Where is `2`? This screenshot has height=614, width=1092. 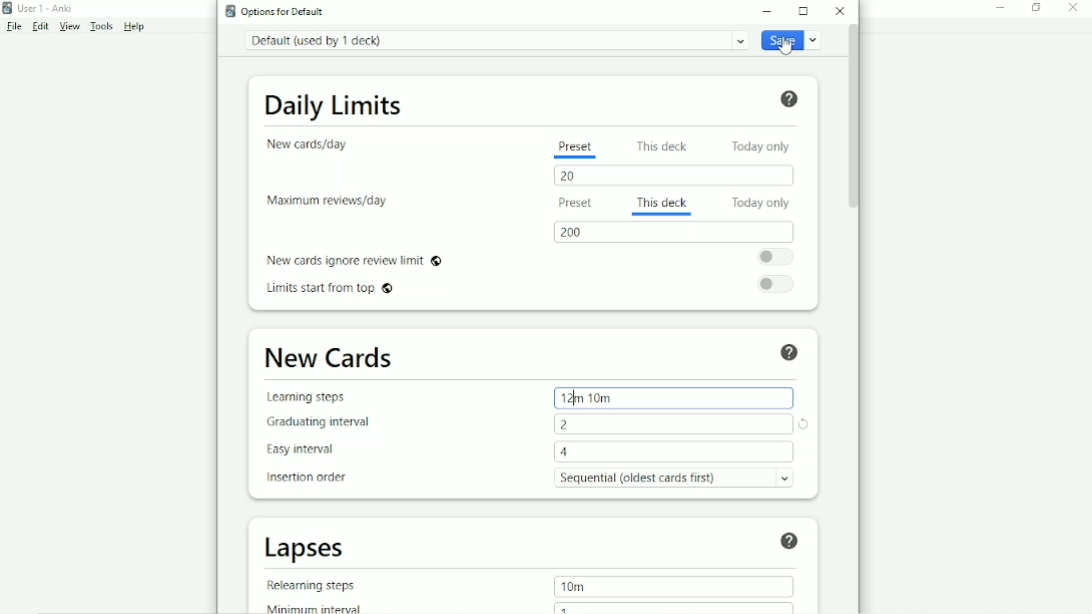 2 is located at coordinates (569, 425).